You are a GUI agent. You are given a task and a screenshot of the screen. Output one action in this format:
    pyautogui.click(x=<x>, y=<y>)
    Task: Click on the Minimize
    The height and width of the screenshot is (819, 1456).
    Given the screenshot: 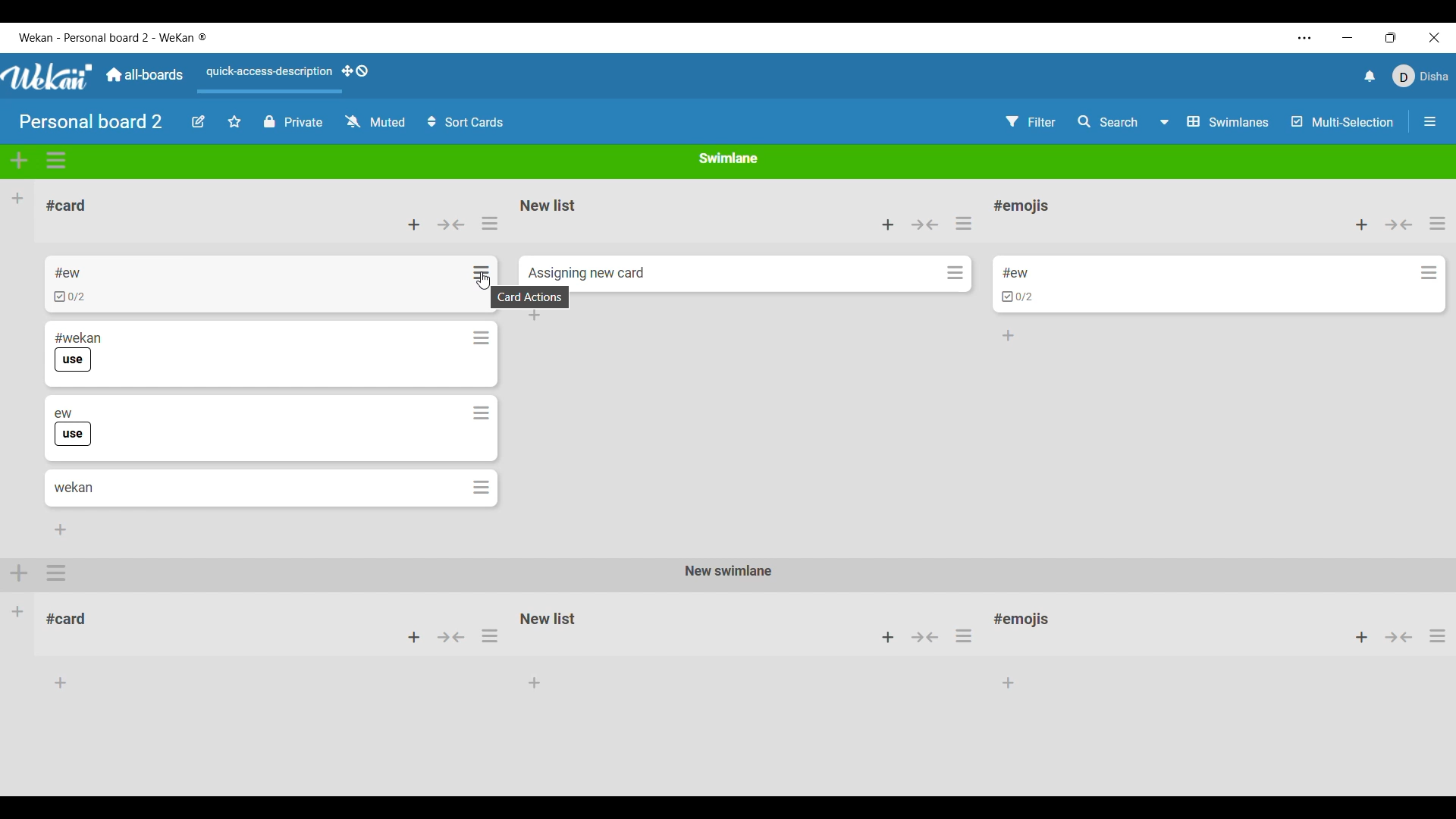 What is the action you would take?
    pyautogui.click(x=1348, y=38)
    